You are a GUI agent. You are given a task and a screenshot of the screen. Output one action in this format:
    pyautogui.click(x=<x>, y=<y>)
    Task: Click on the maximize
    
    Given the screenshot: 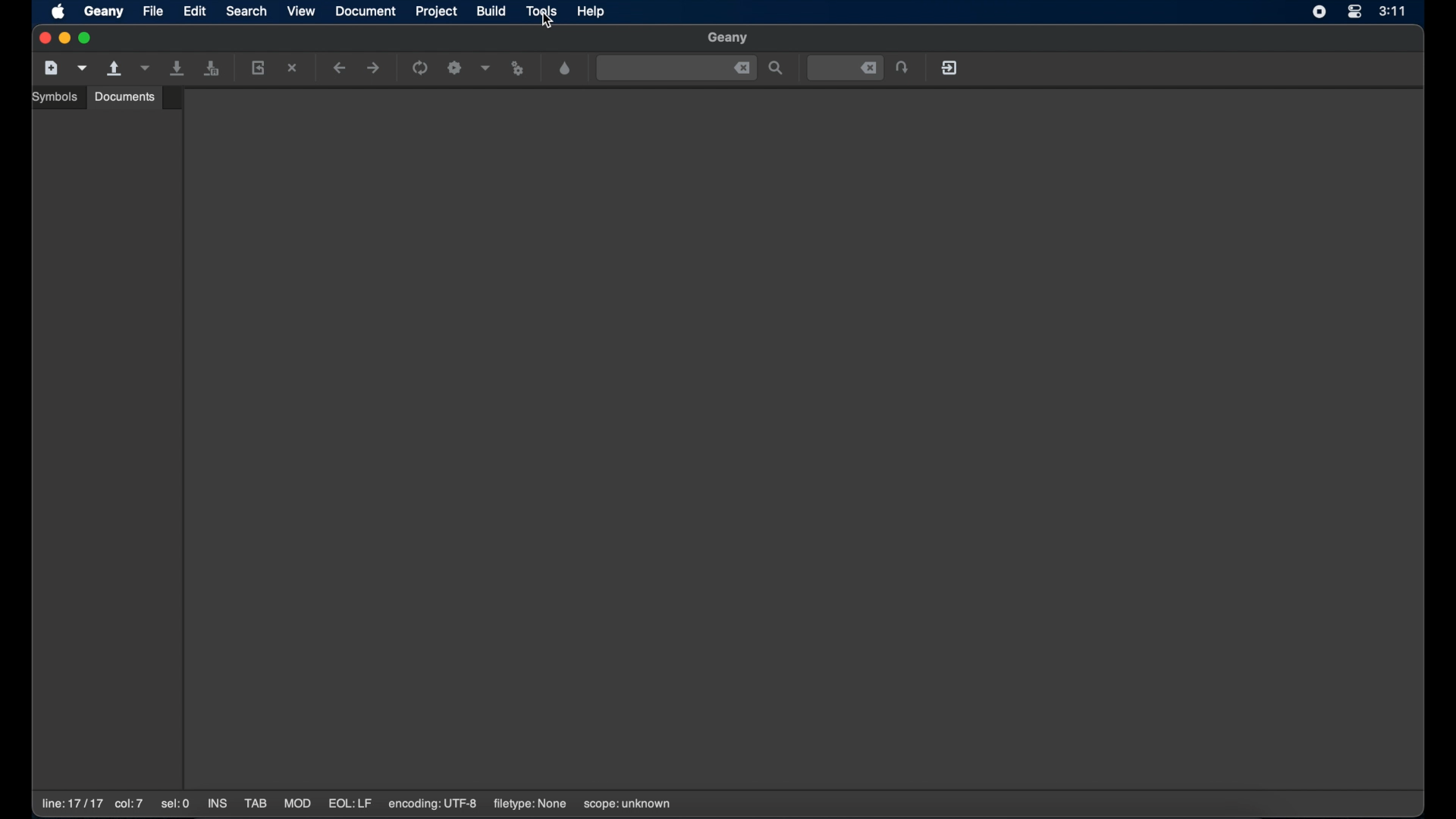 What is the action you would take?
    pyautogui.click(x=87, y=38)
    